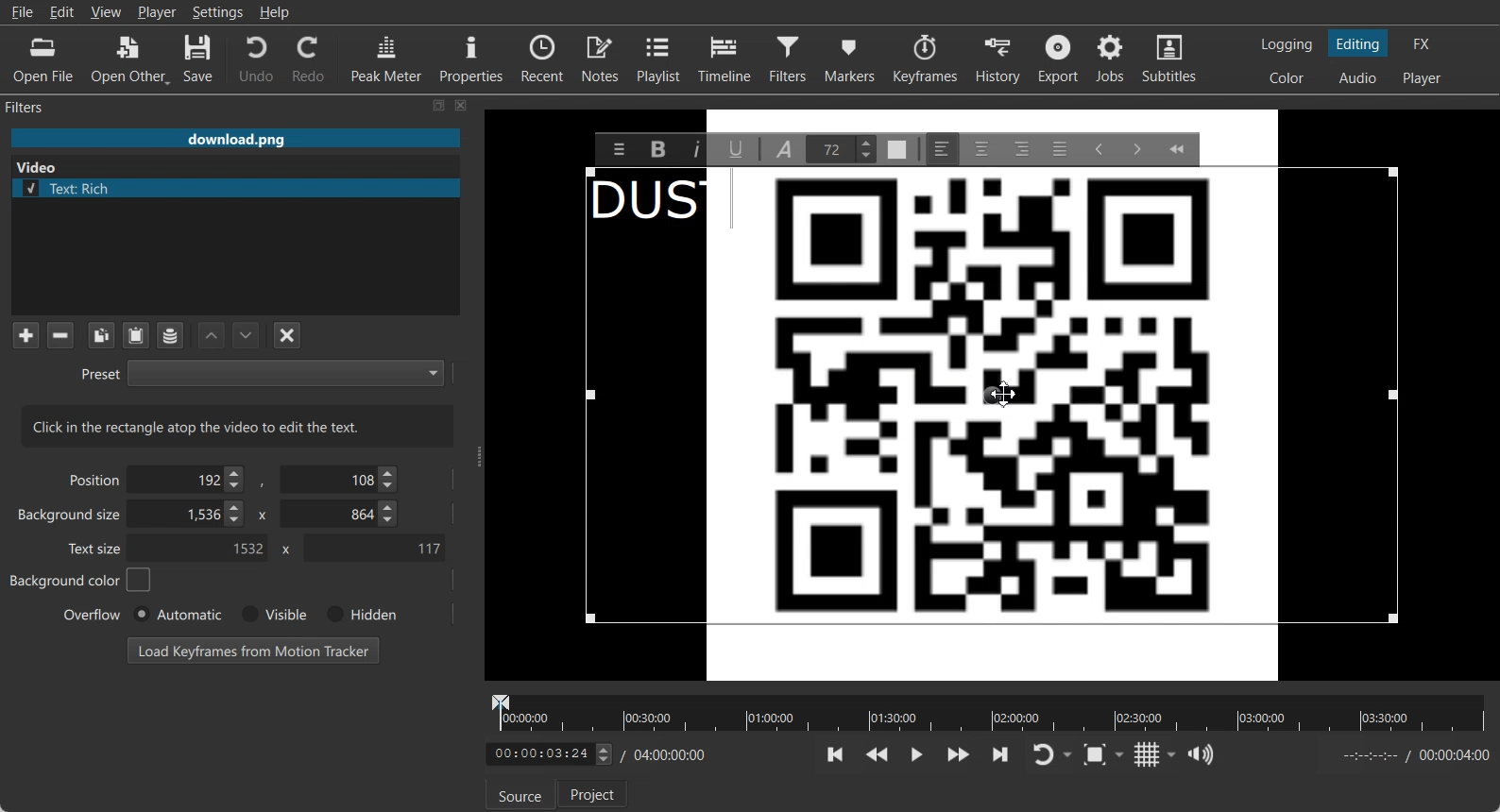  Describe the element at coordinates (665, 754) in the screenshot. I see `Timing ` at that location.